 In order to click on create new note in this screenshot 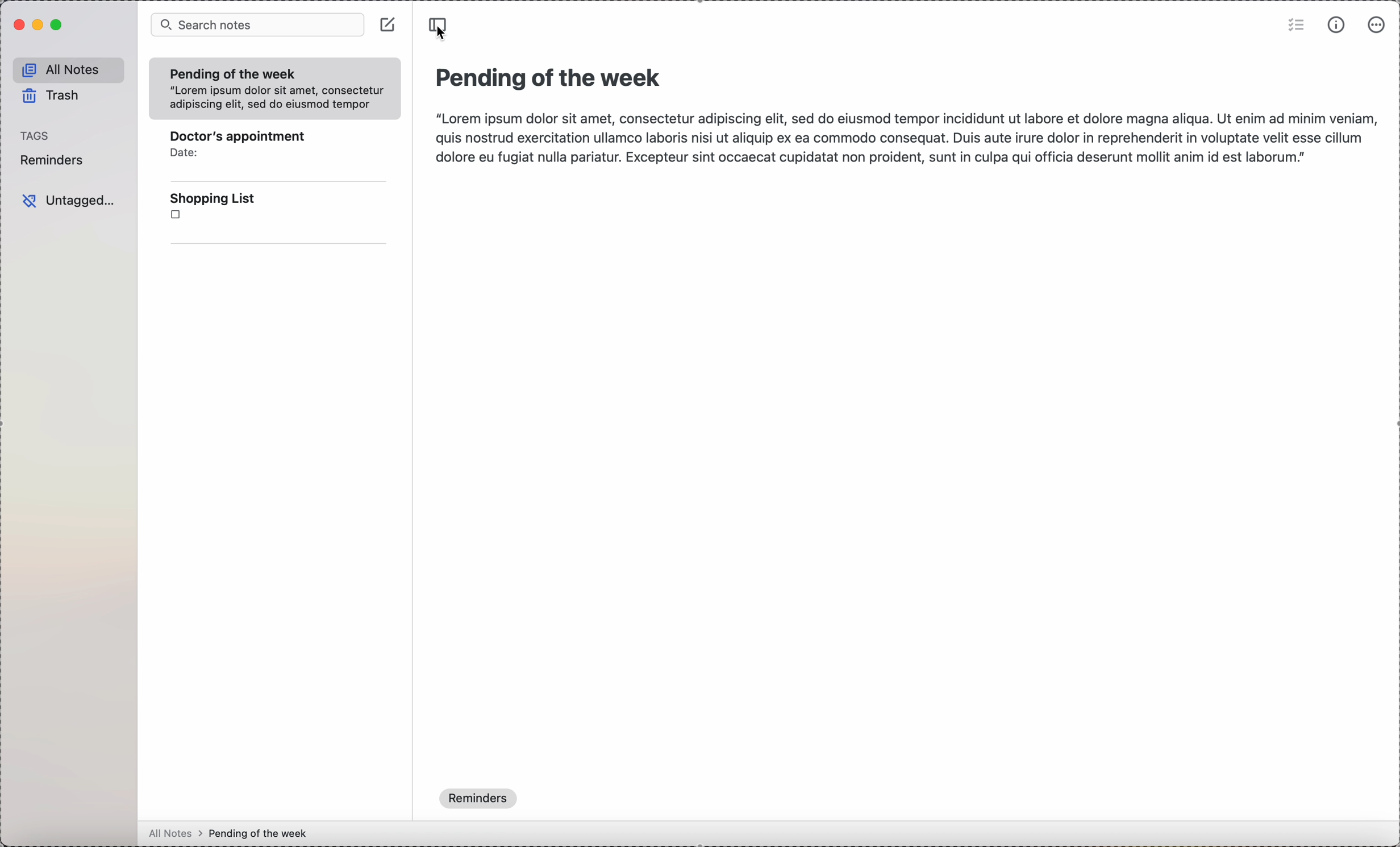, I will do `click(388, 25)`.